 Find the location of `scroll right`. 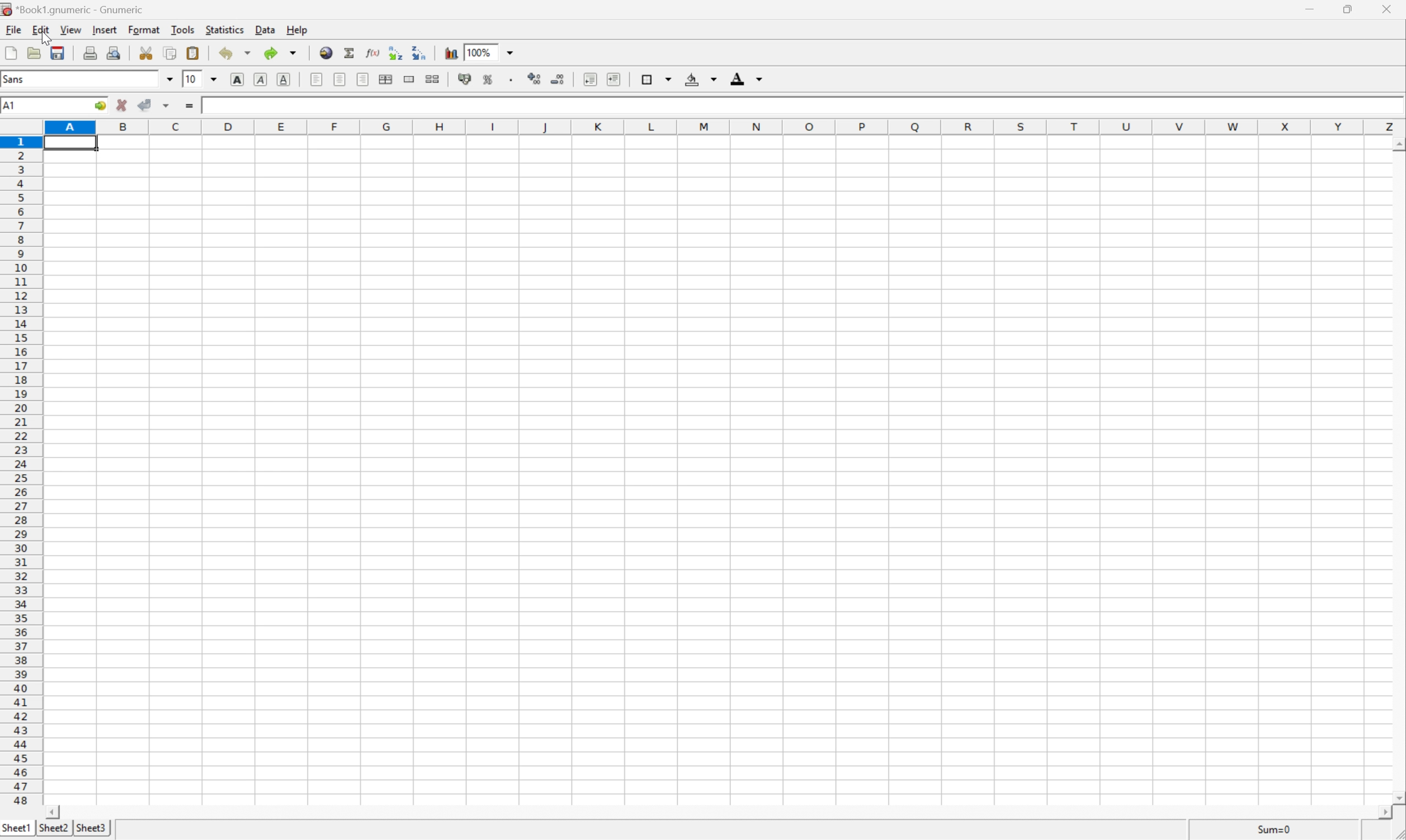

scroll right is located at coordinates (1374, 812).